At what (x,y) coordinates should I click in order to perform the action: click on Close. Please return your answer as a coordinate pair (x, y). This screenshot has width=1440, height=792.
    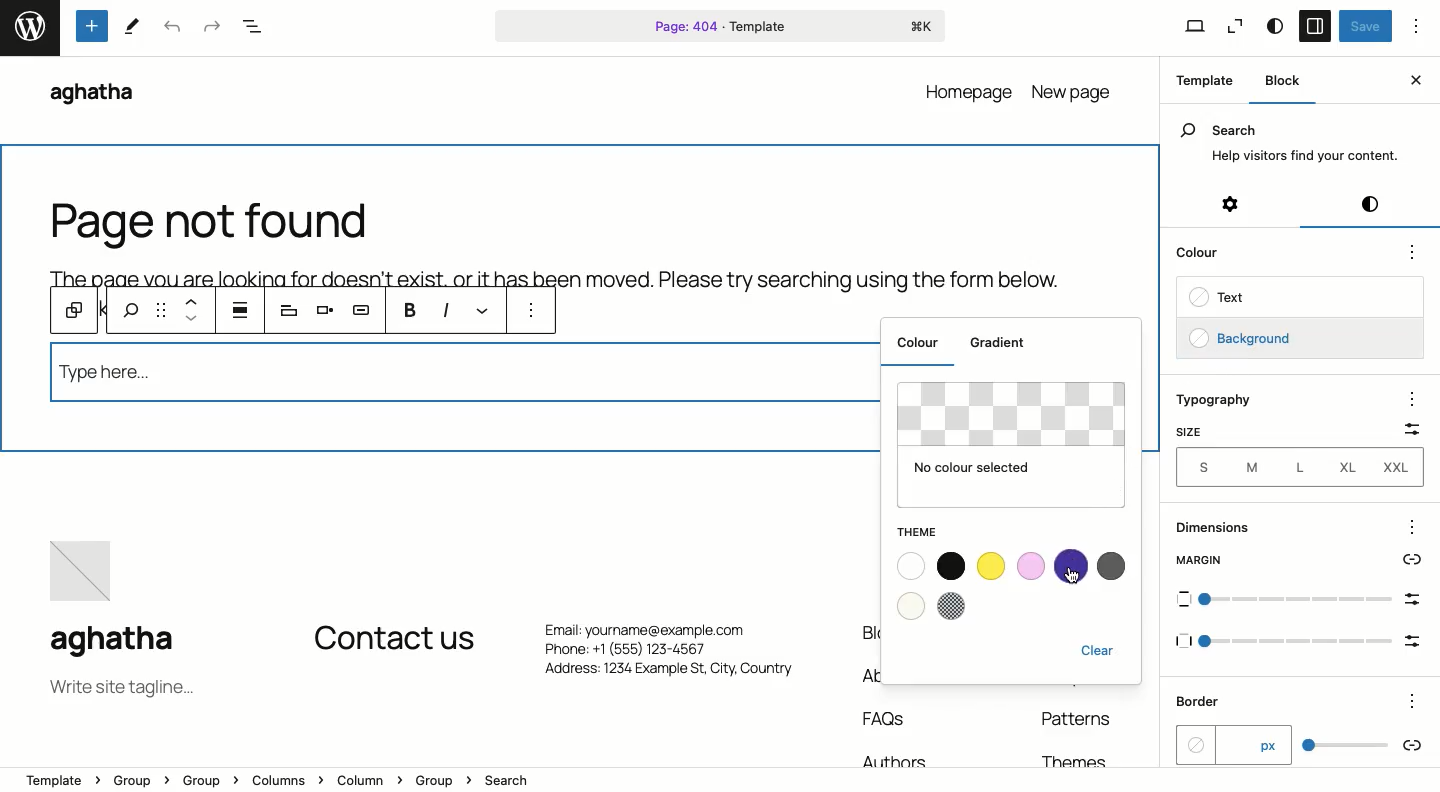
    Looking at the image, I should click on (1418, 81).